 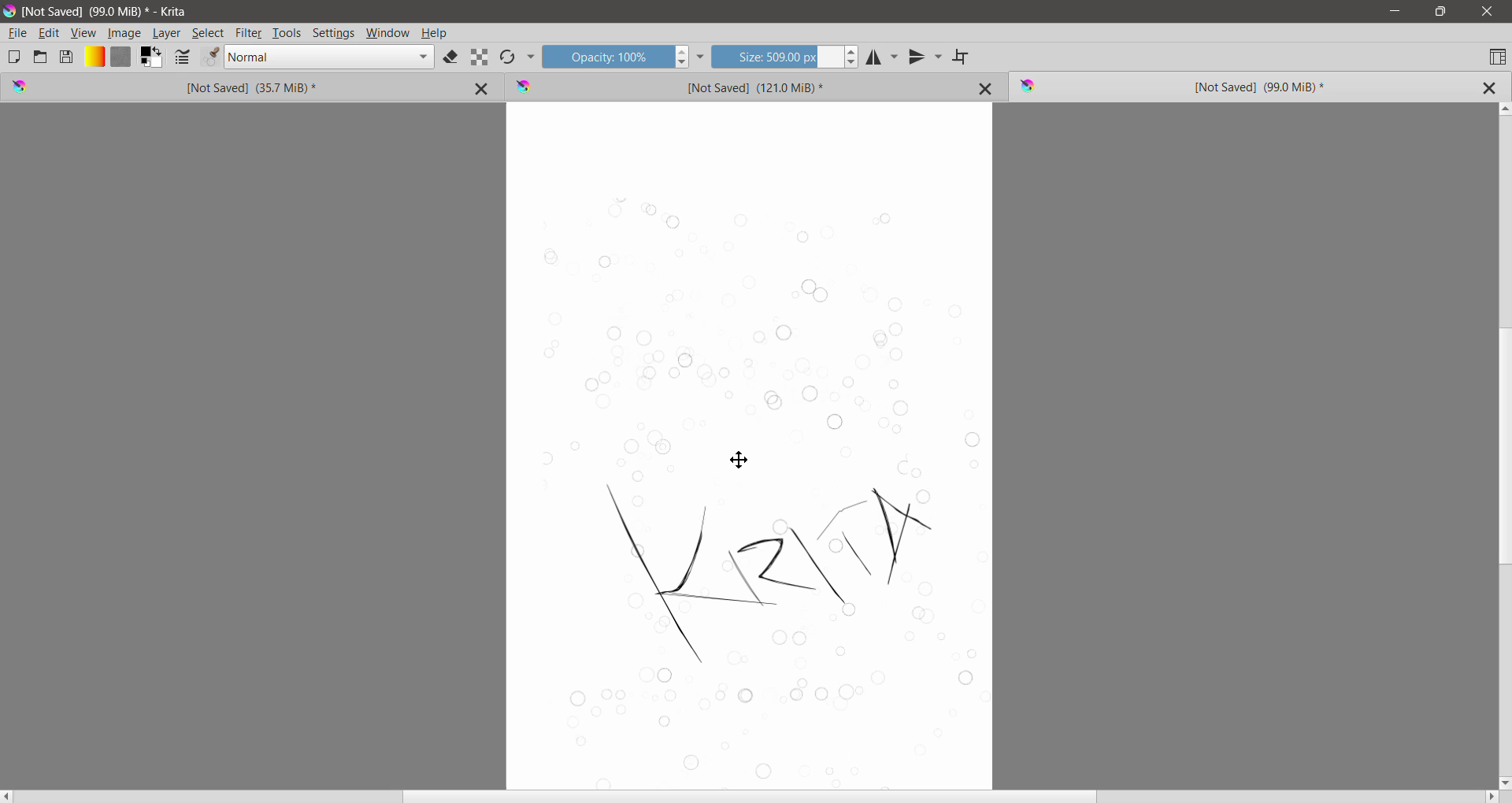 I want to click on Horizontal Scroll Bar, so click(x=750, y=797).